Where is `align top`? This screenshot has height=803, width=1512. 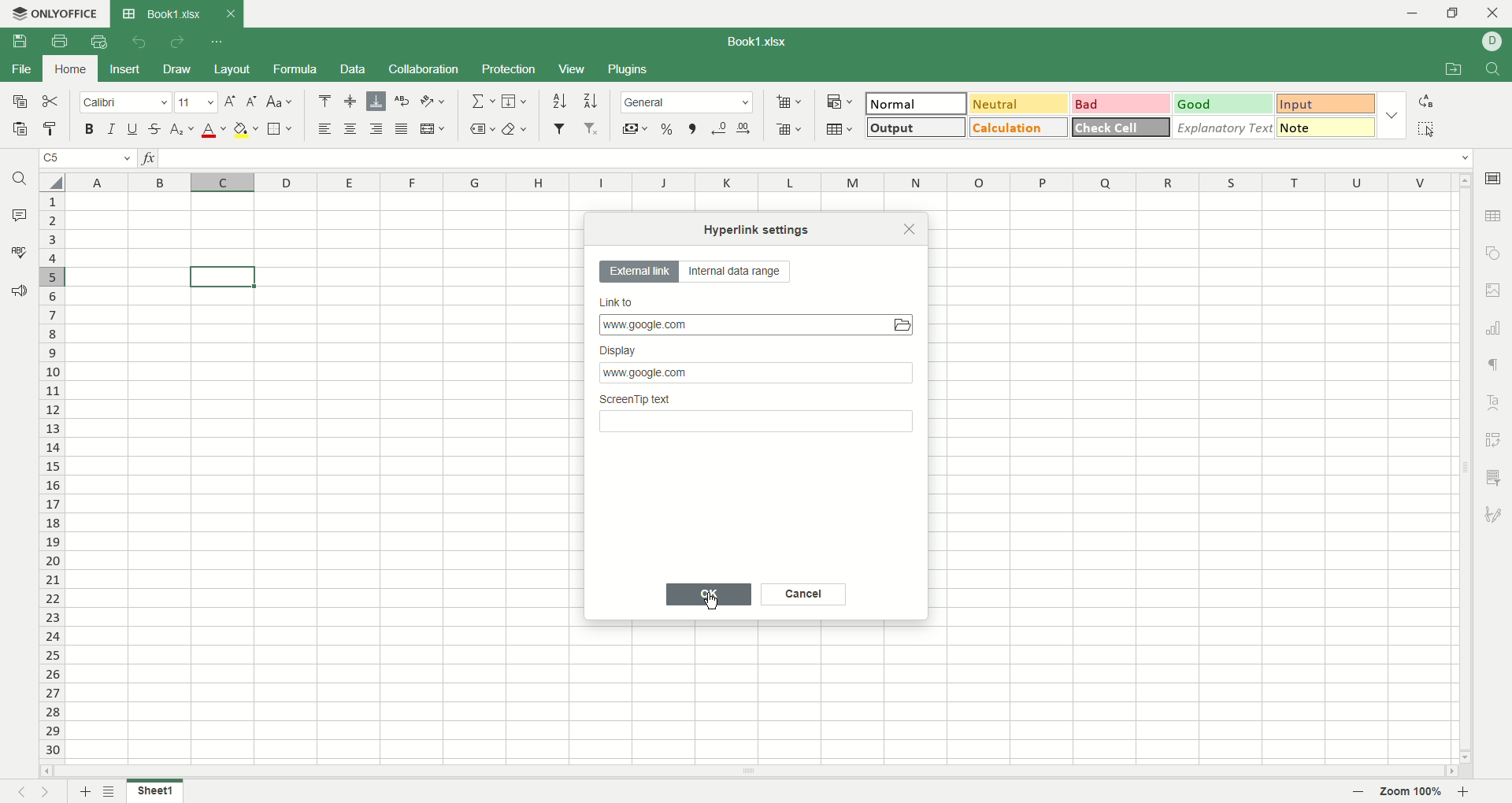
align top is located at coordinates (324, 101).